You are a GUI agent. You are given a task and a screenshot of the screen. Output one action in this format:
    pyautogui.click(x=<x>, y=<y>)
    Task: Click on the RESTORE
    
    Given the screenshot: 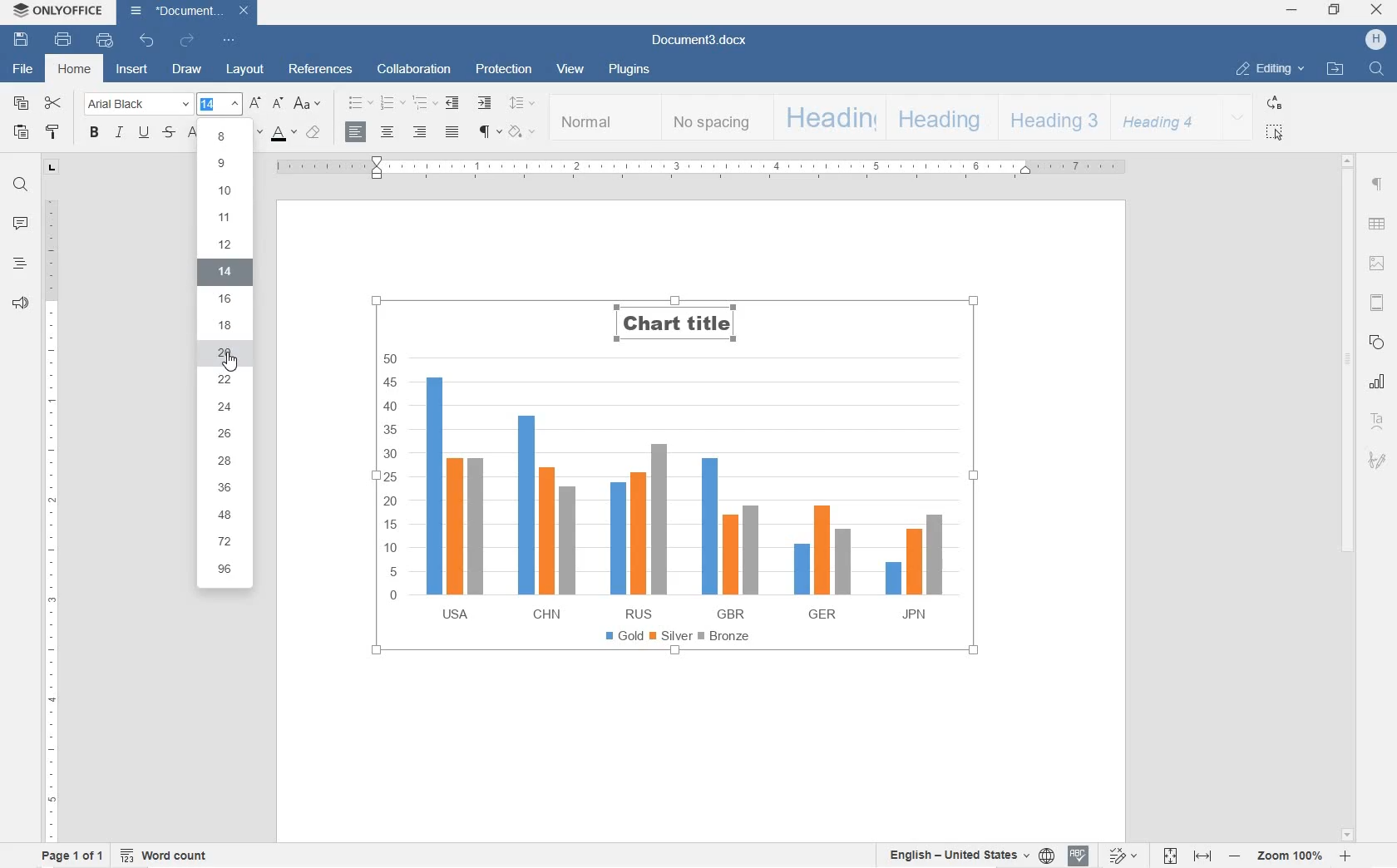 What is the action you would take?
    pyautogui.click(x=1336, y=11)
    